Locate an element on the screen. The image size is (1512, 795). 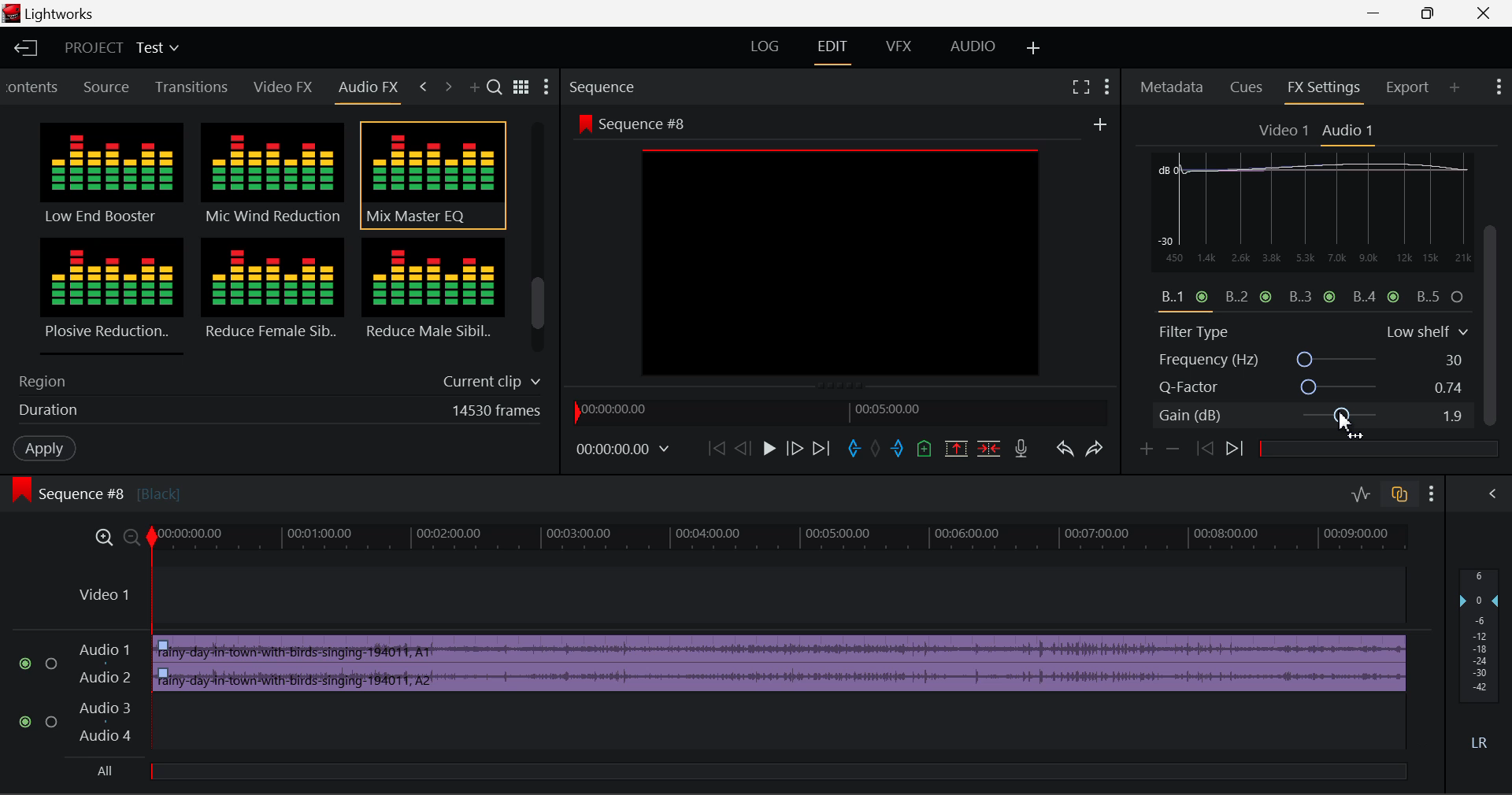
Transitions is located at coordinates (192, 87).